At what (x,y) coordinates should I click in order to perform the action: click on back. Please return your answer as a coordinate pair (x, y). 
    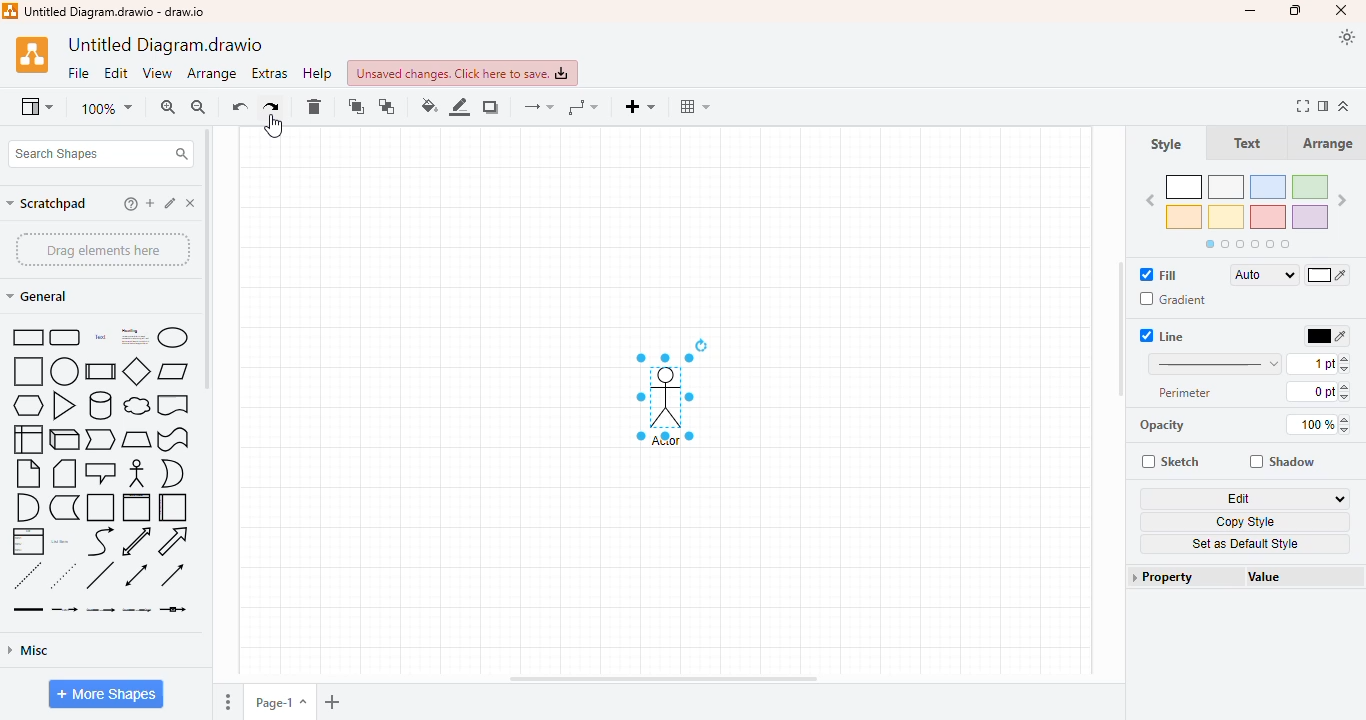
    Looking at the image, I should click on (1149, 201).